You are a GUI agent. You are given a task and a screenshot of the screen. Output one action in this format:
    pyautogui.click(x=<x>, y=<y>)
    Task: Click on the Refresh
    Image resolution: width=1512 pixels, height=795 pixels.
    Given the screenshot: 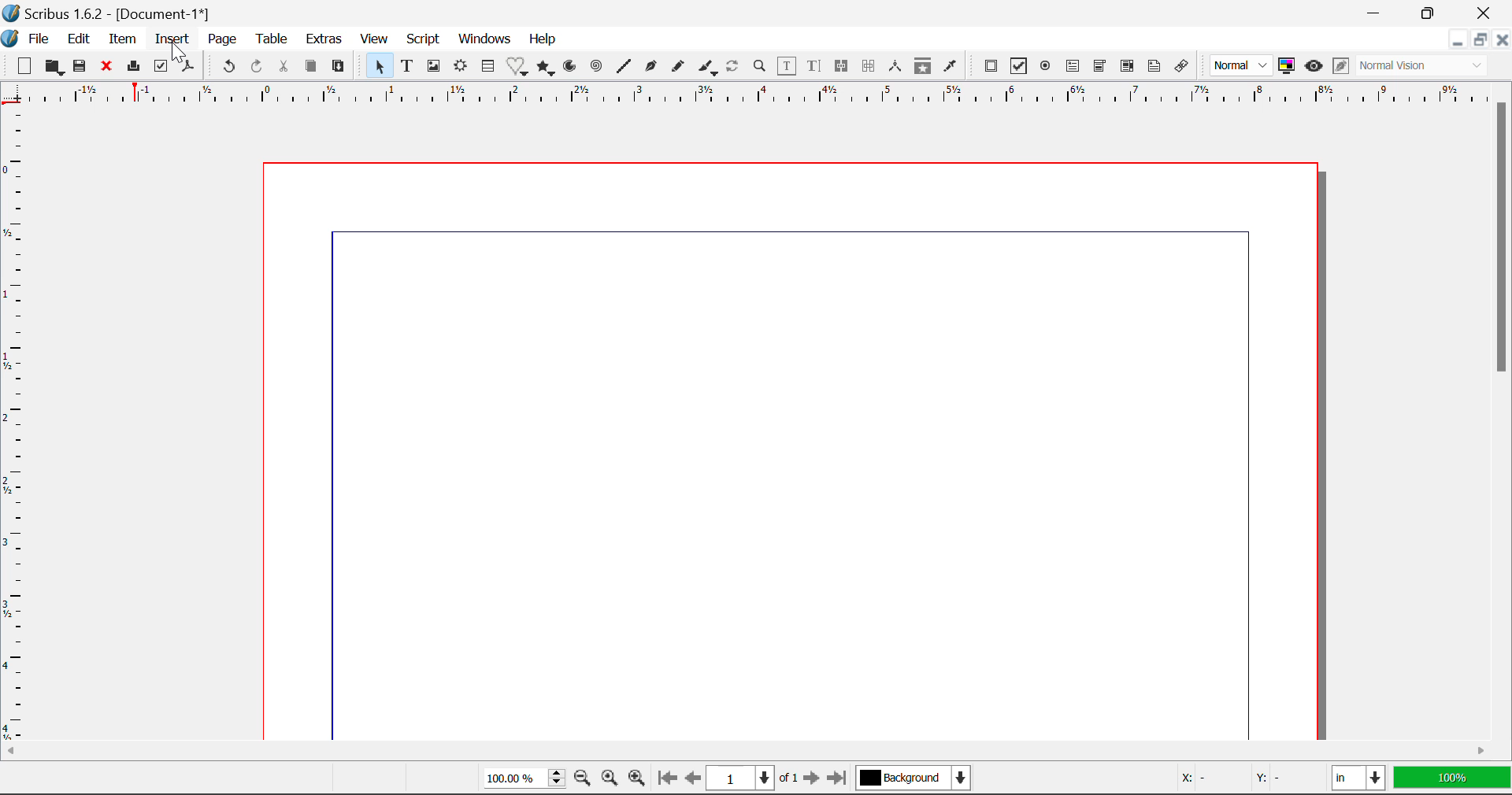 What is the action you would take?
    pyautogui.click(x=736, y=68)
    